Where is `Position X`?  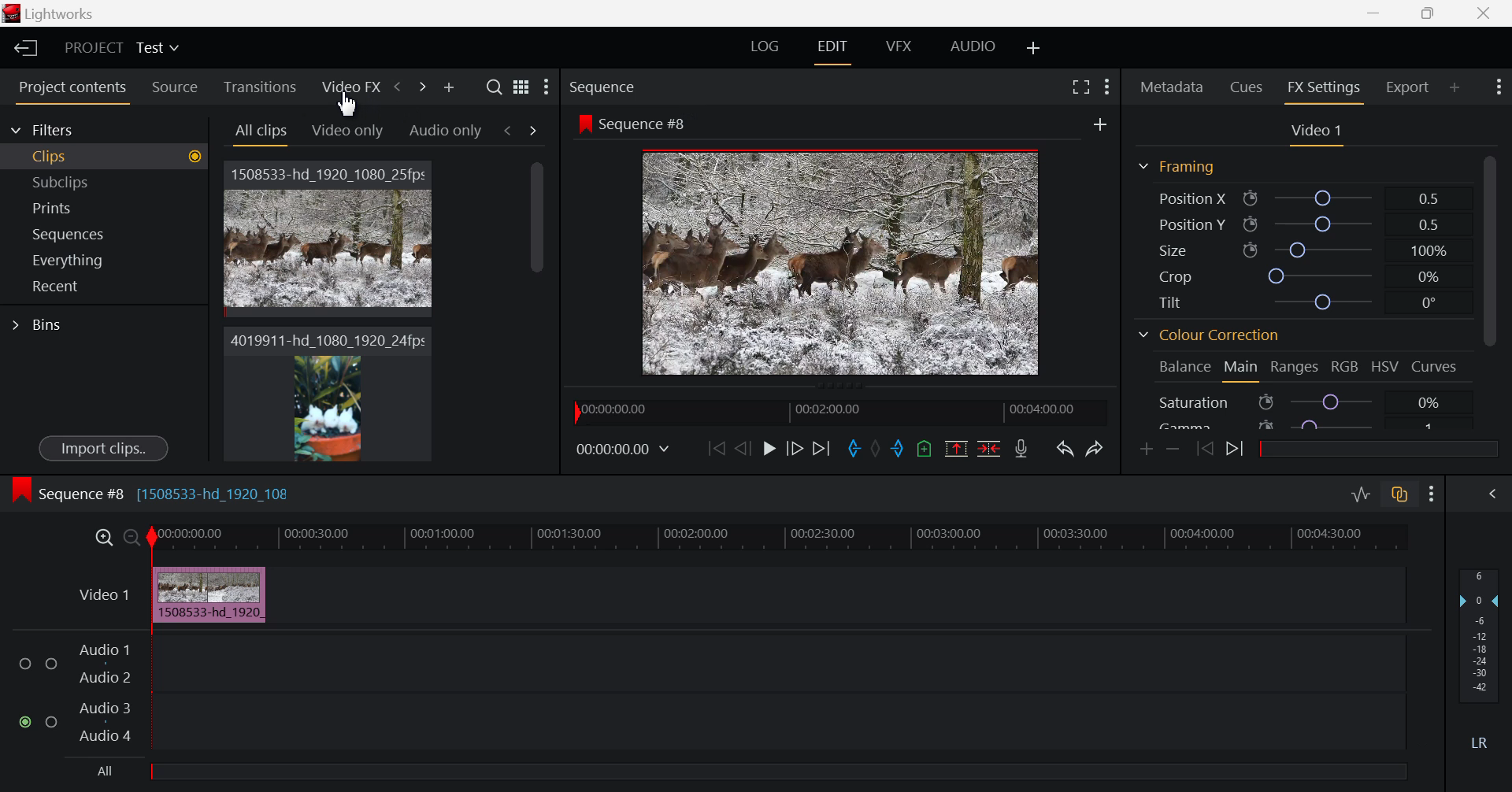
Position X is located at coordinates (1303, 198).